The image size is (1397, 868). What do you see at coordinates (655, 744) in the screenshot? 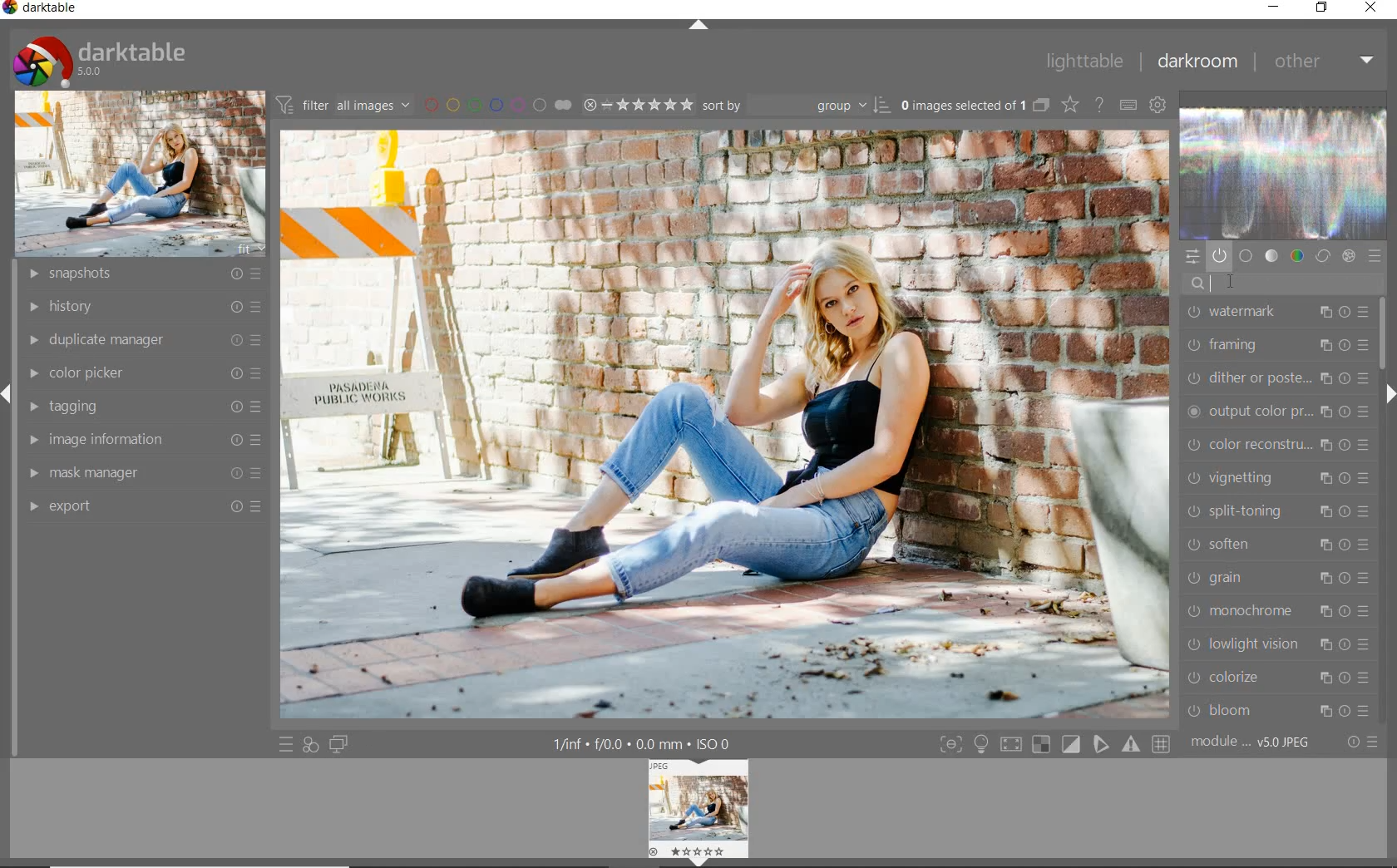
I see `display information` at bounding box center [655, 744].